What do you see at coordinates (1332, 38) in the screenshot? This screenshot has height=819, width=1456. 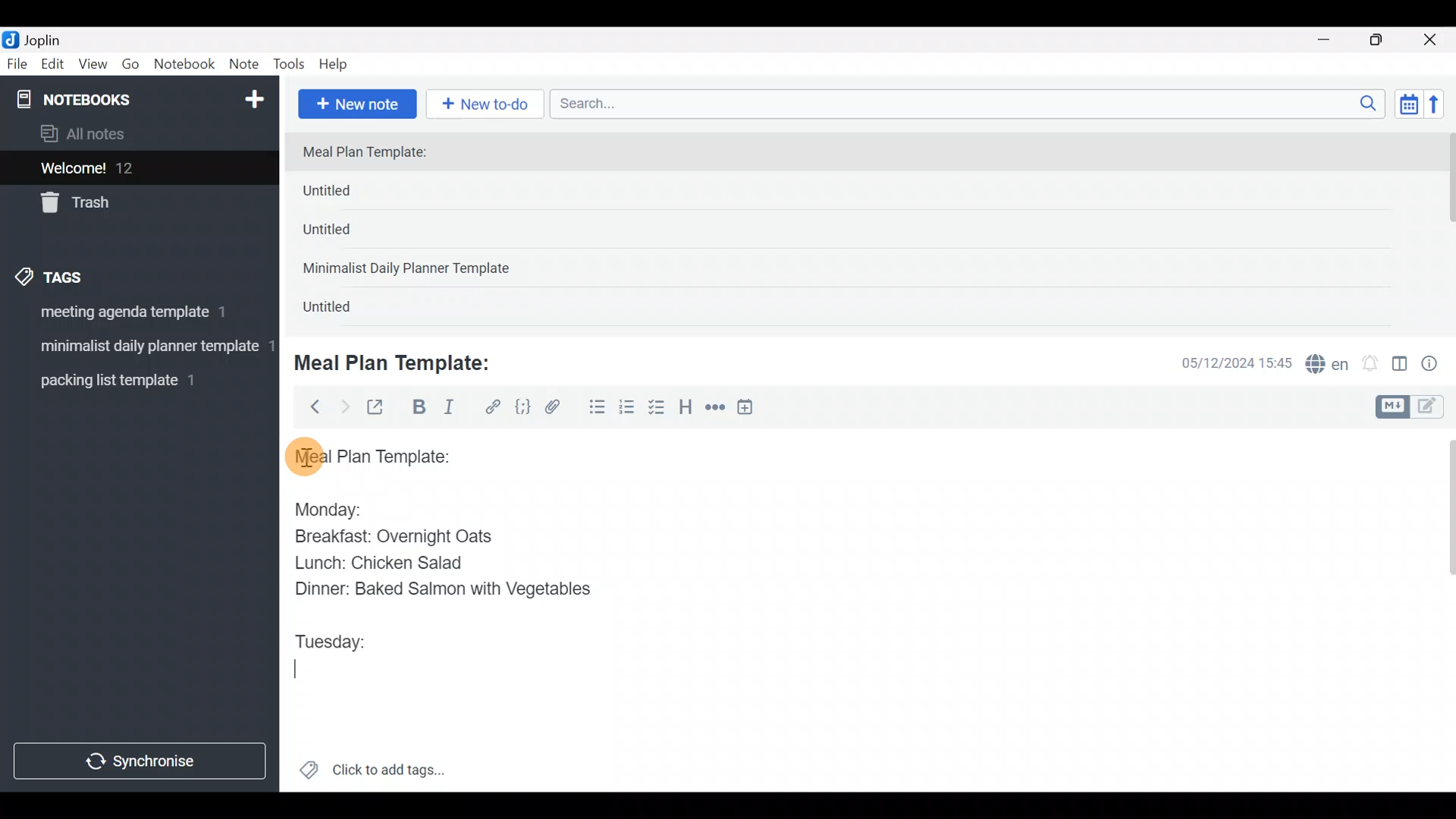 I see `Minimize` at bounding box center [1332, 38].